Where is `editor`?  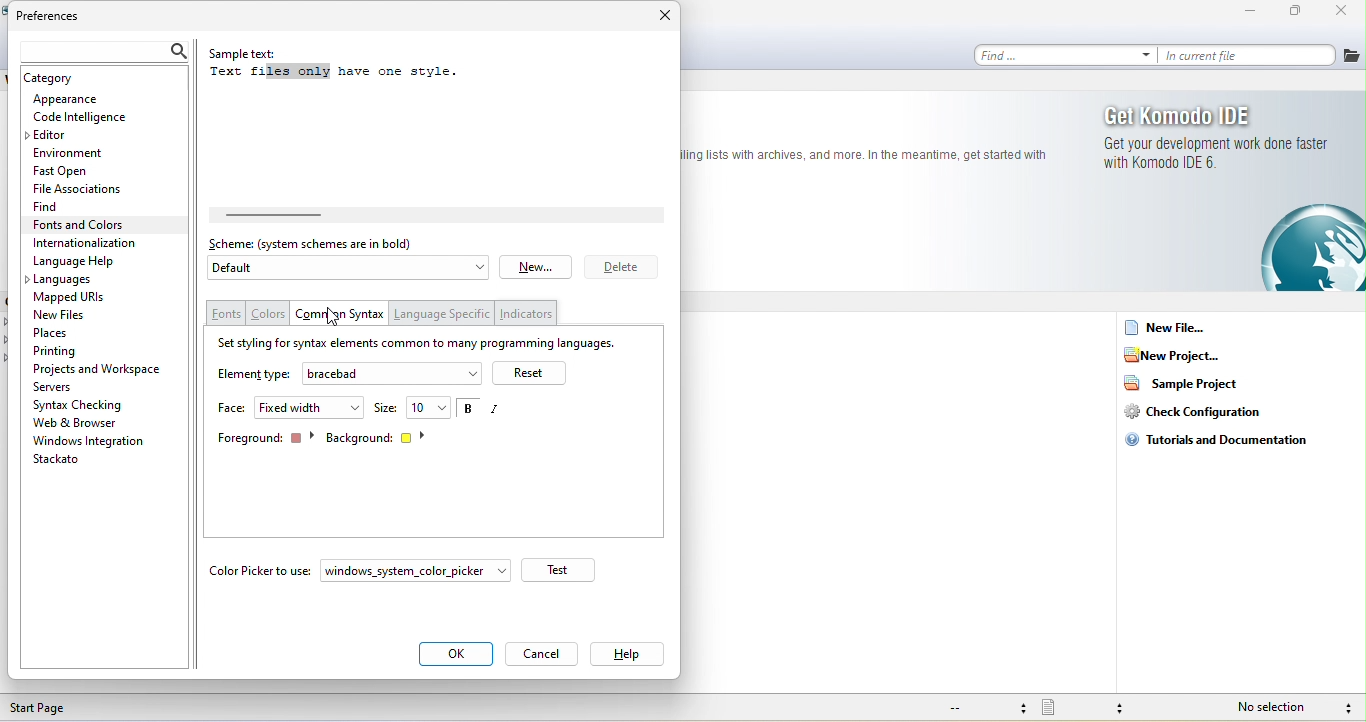 editor is located at coordinates (53, 135).